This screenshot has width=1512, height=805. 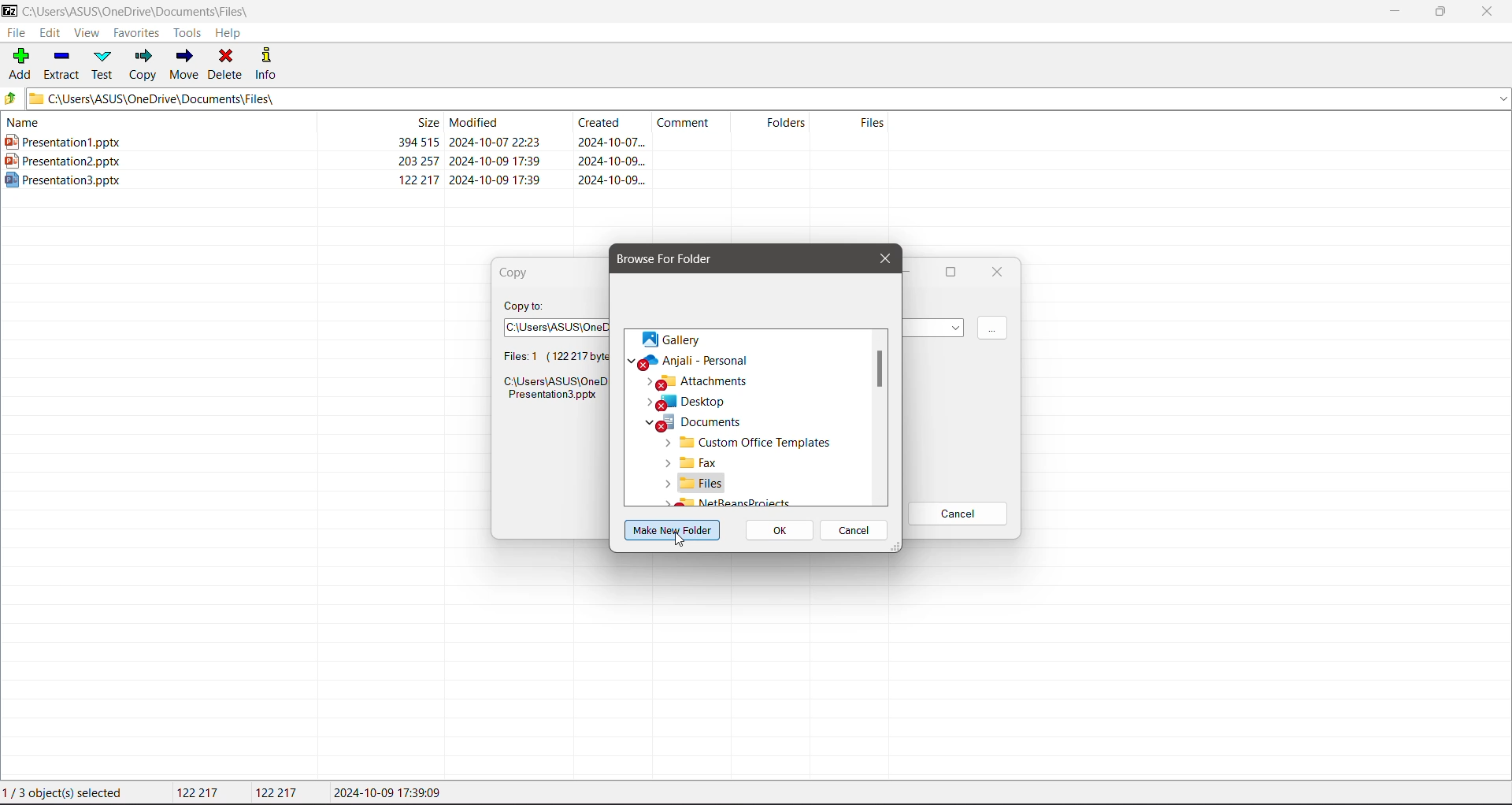 I want to click on Documents, so click(x=693, y=422).